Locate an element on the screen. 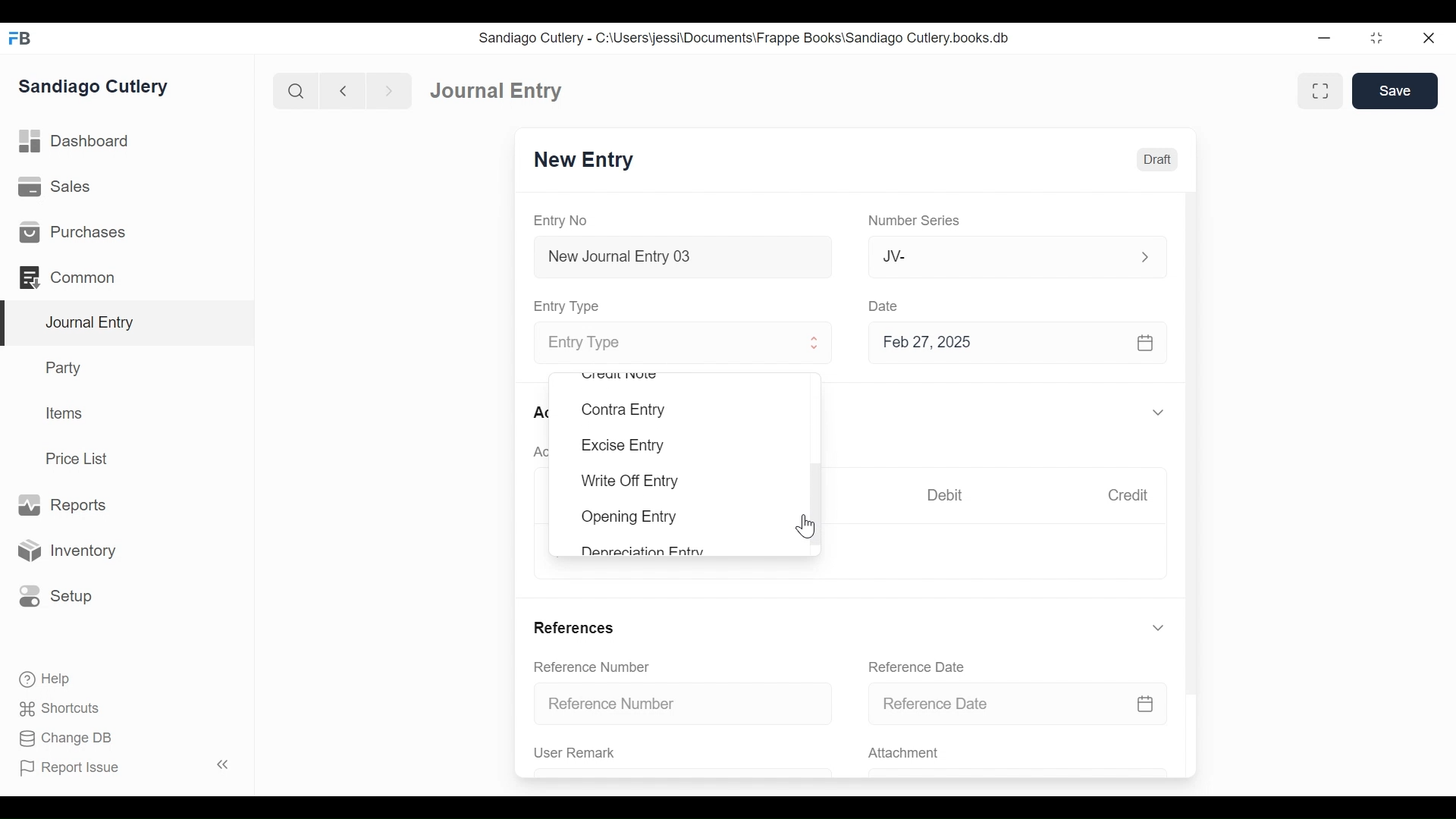  Inventory is located at coordinates (65, 550).